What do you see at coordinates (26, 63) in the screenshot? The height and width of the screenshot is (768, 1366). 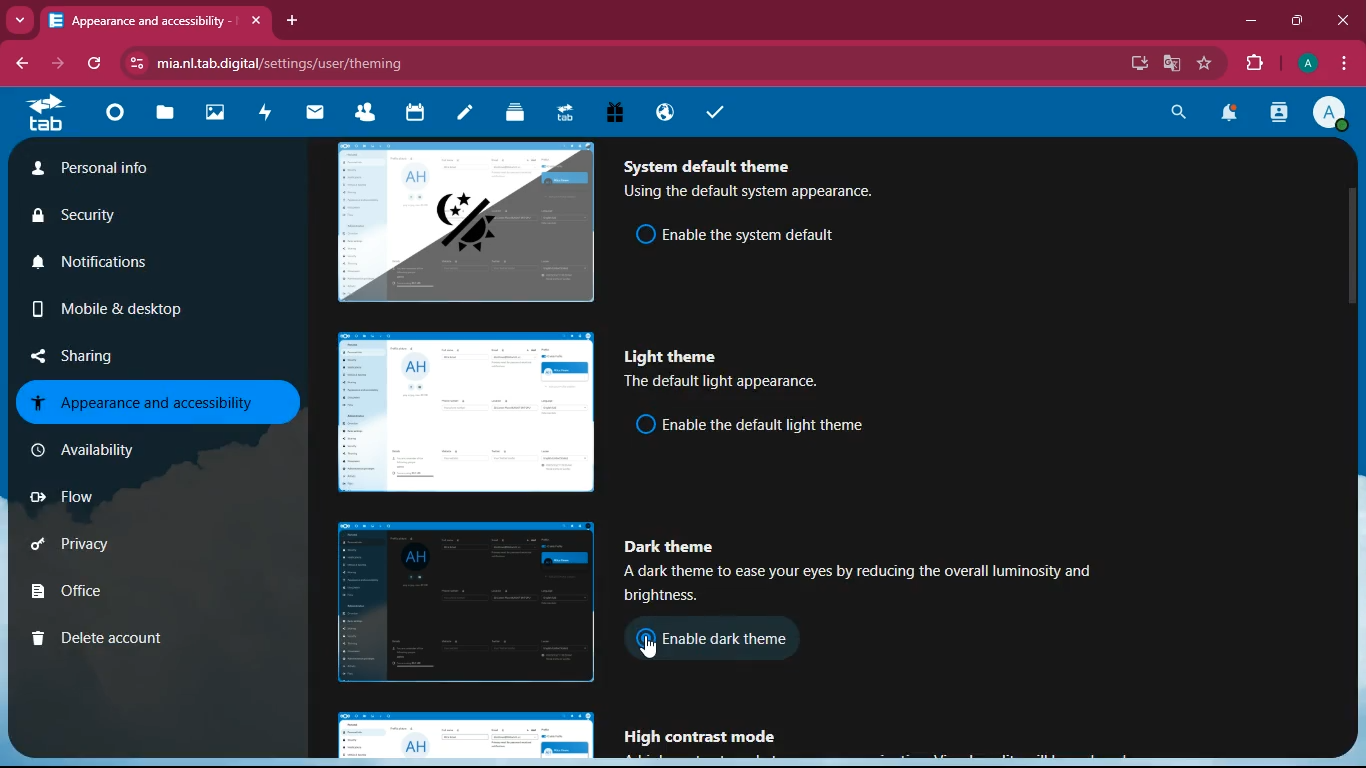 I see `back` at bounding box center [26, 63].